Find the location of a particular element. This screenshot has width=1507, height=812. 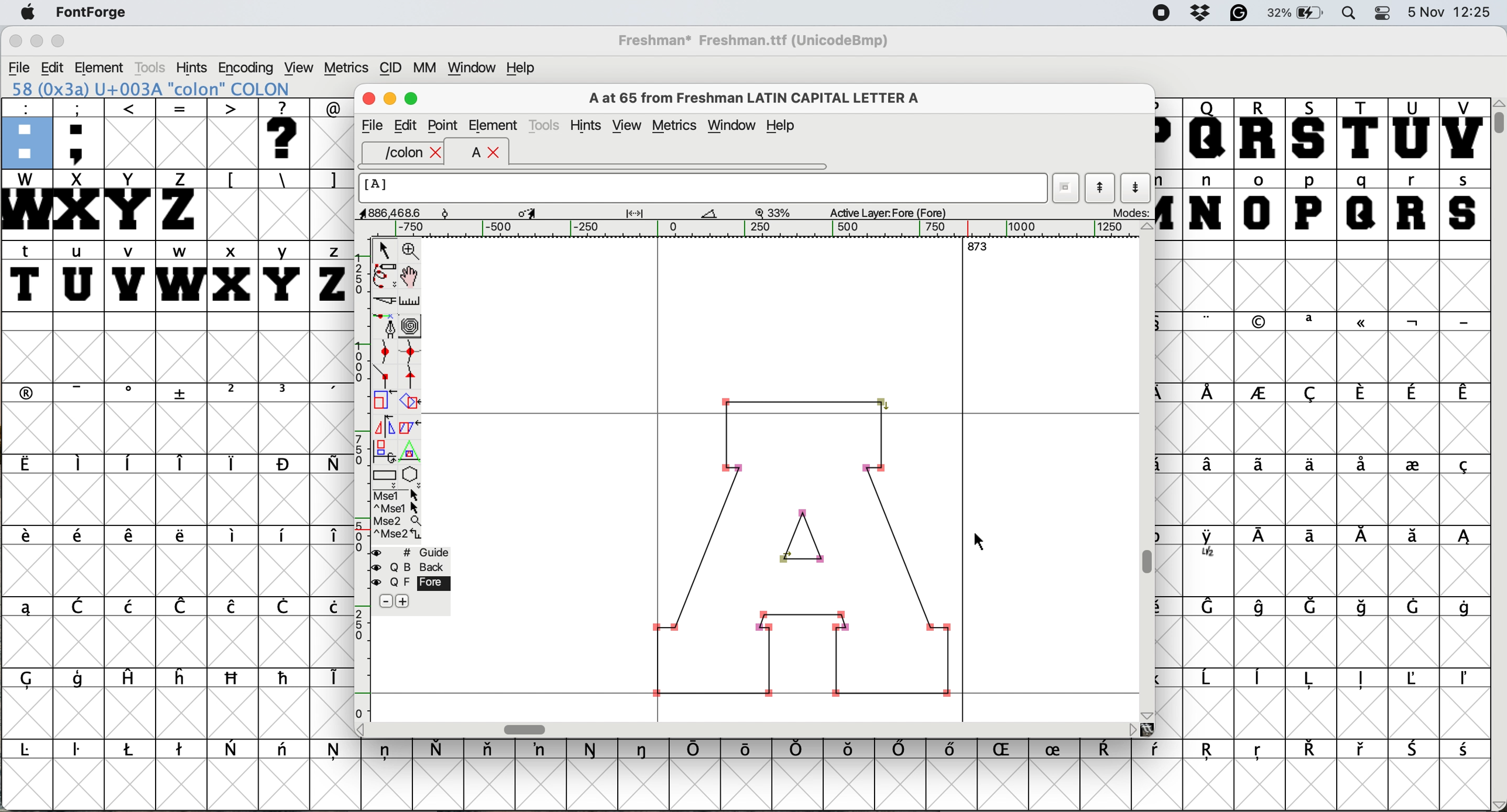

close is located at coordinates (13, 42).